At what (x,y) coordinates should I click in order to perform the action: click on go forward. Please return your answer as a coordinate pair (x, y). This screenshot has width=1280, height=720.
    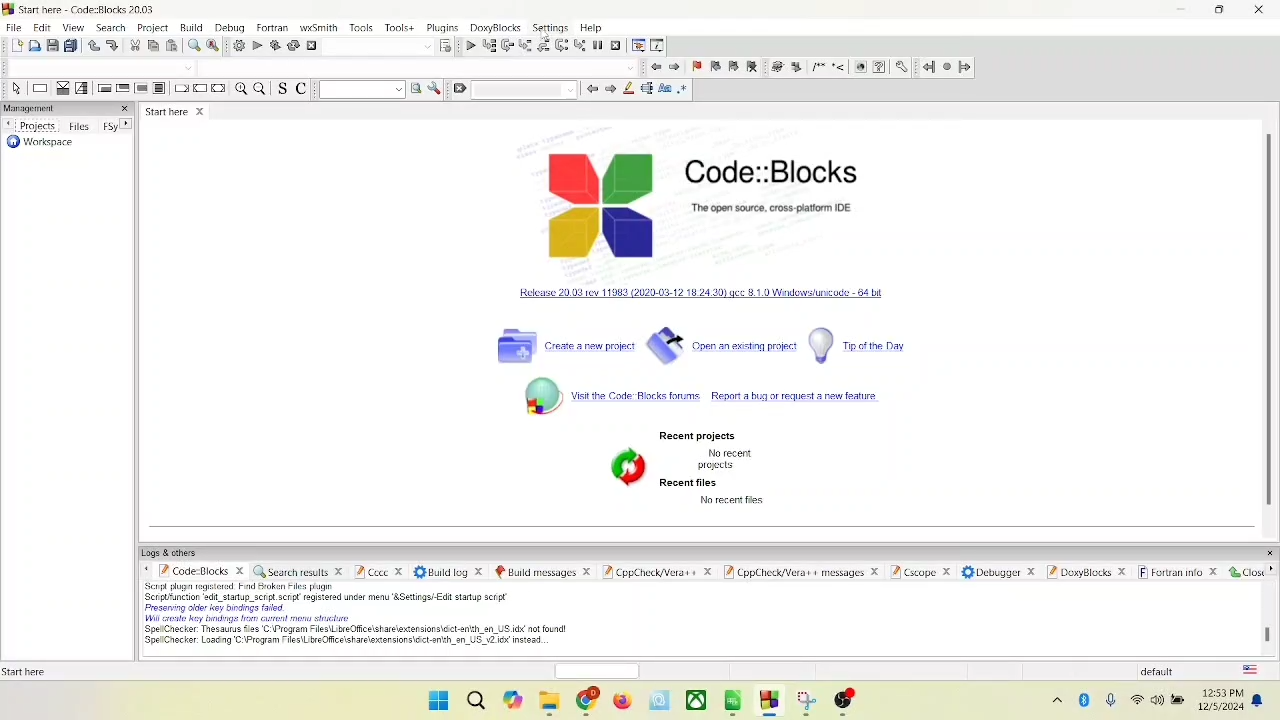
    Looking at the image, I should click on (610, 88).